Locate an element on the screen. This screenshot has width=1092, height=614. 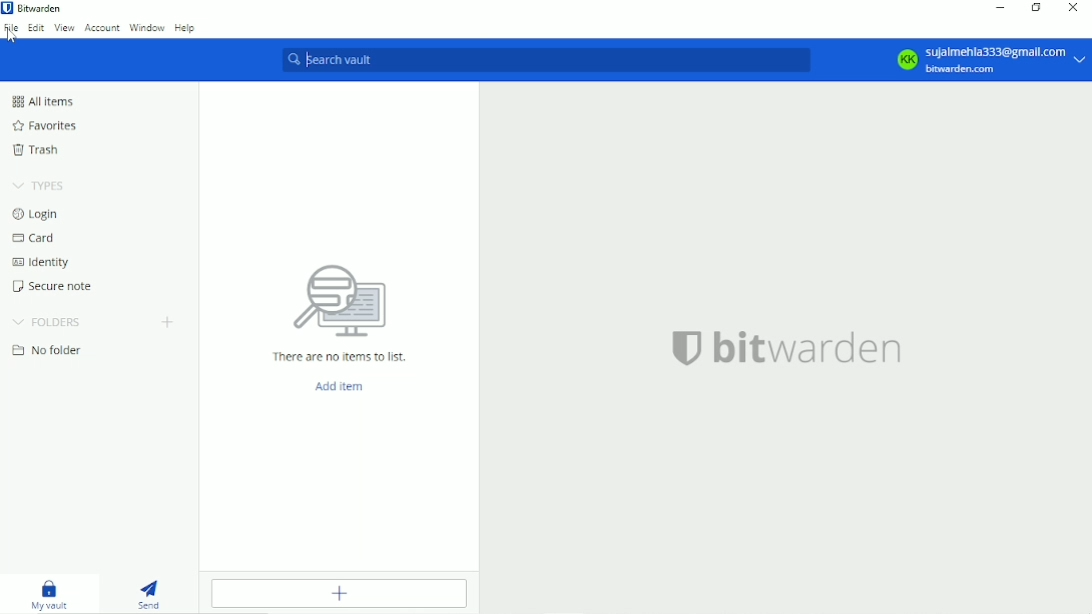
Identity is located at coordinates (46, 263).